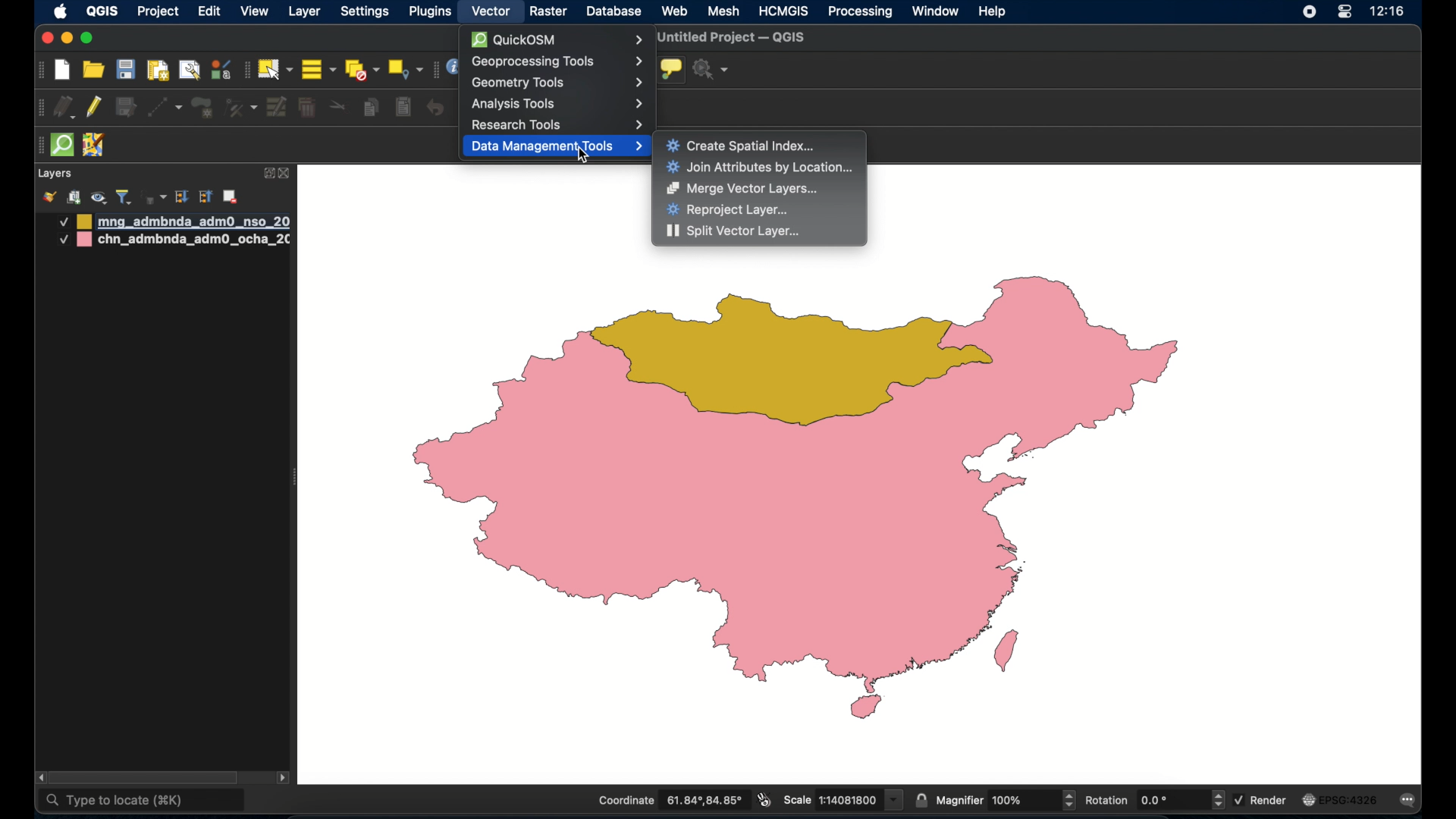 The height and width of the screenshot is (819, 1456). I want to click on select all features, so click(319, 71).